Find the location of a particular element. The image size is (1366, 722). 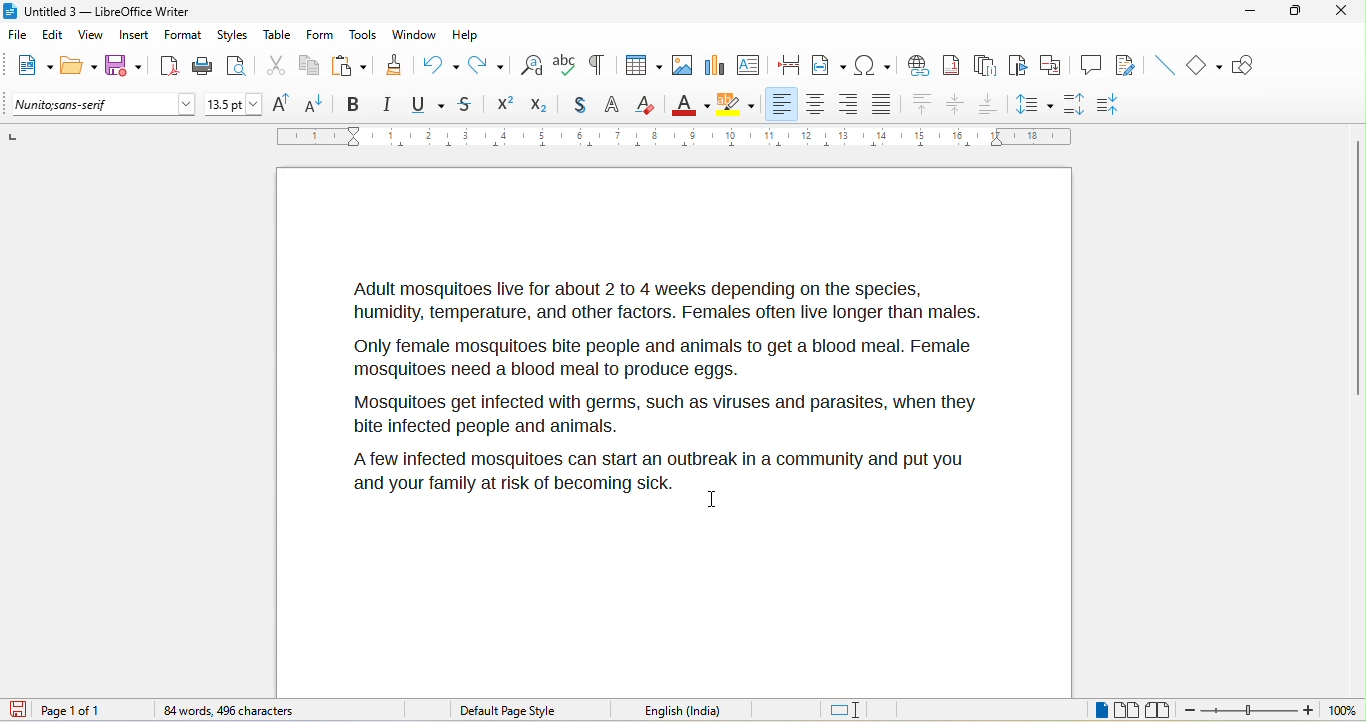

84 words, 496 characters is located at coordinates (230, 712).